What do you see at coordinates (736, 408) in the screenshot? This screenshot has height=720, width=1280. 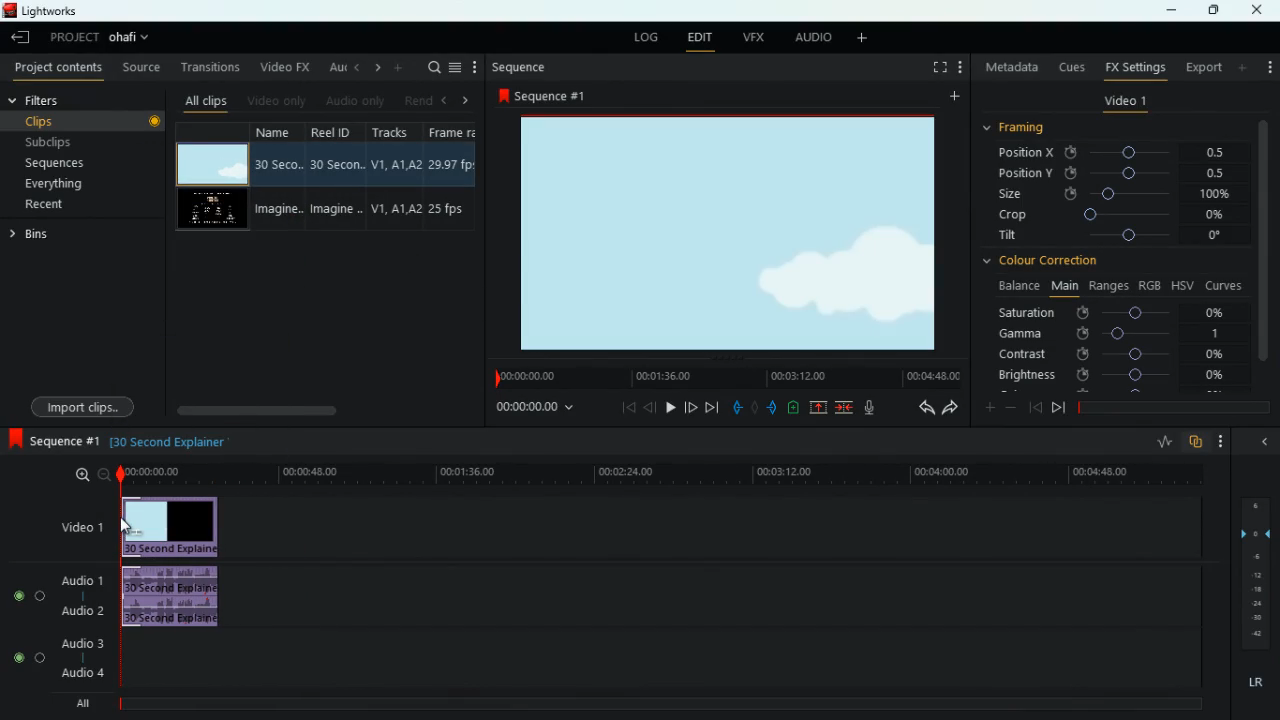 I see `pull` at bounding box center [736, 408].